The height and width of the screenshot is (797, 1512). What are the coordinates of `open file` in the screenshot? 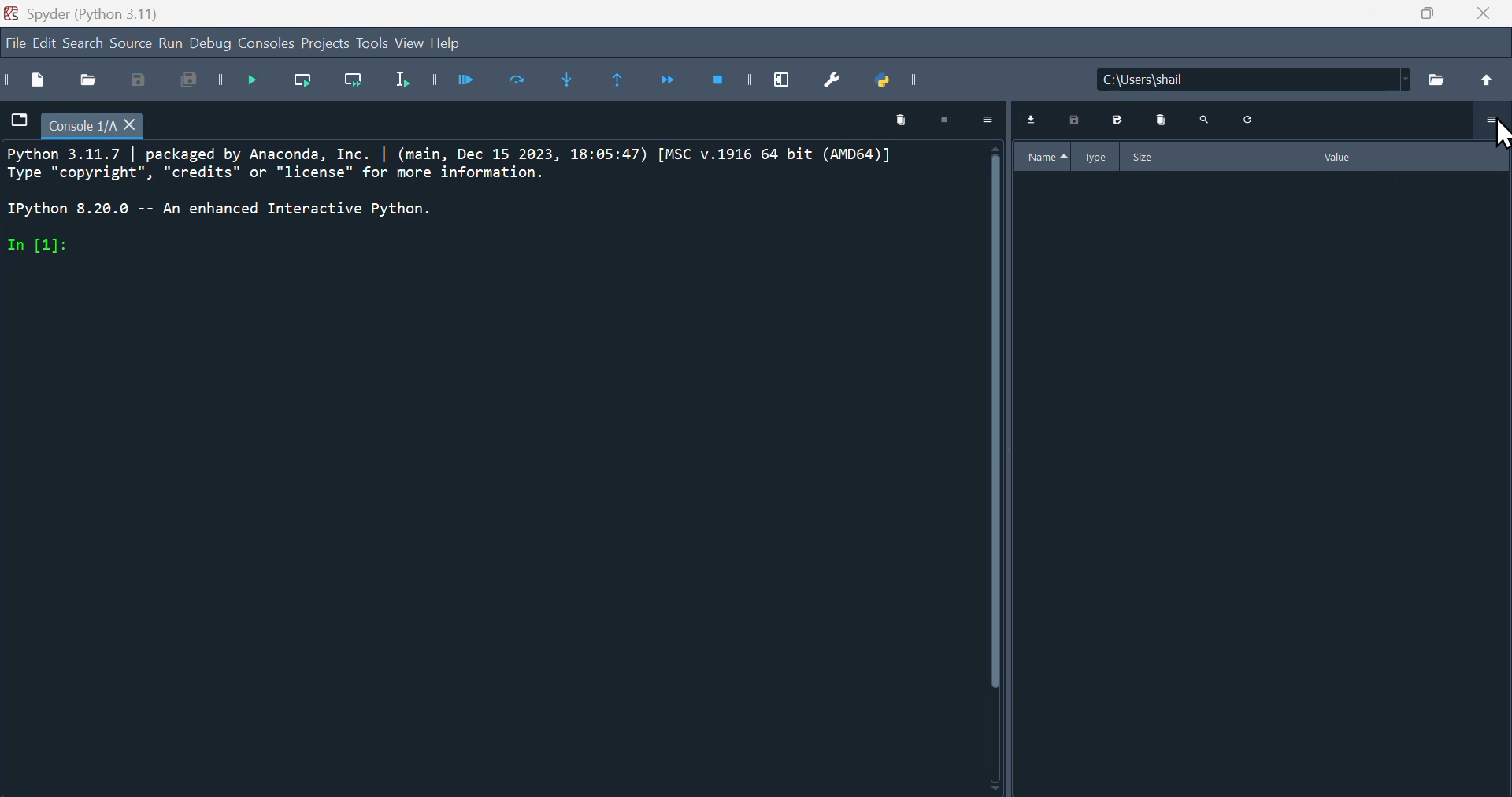 It's located at (89, 78).